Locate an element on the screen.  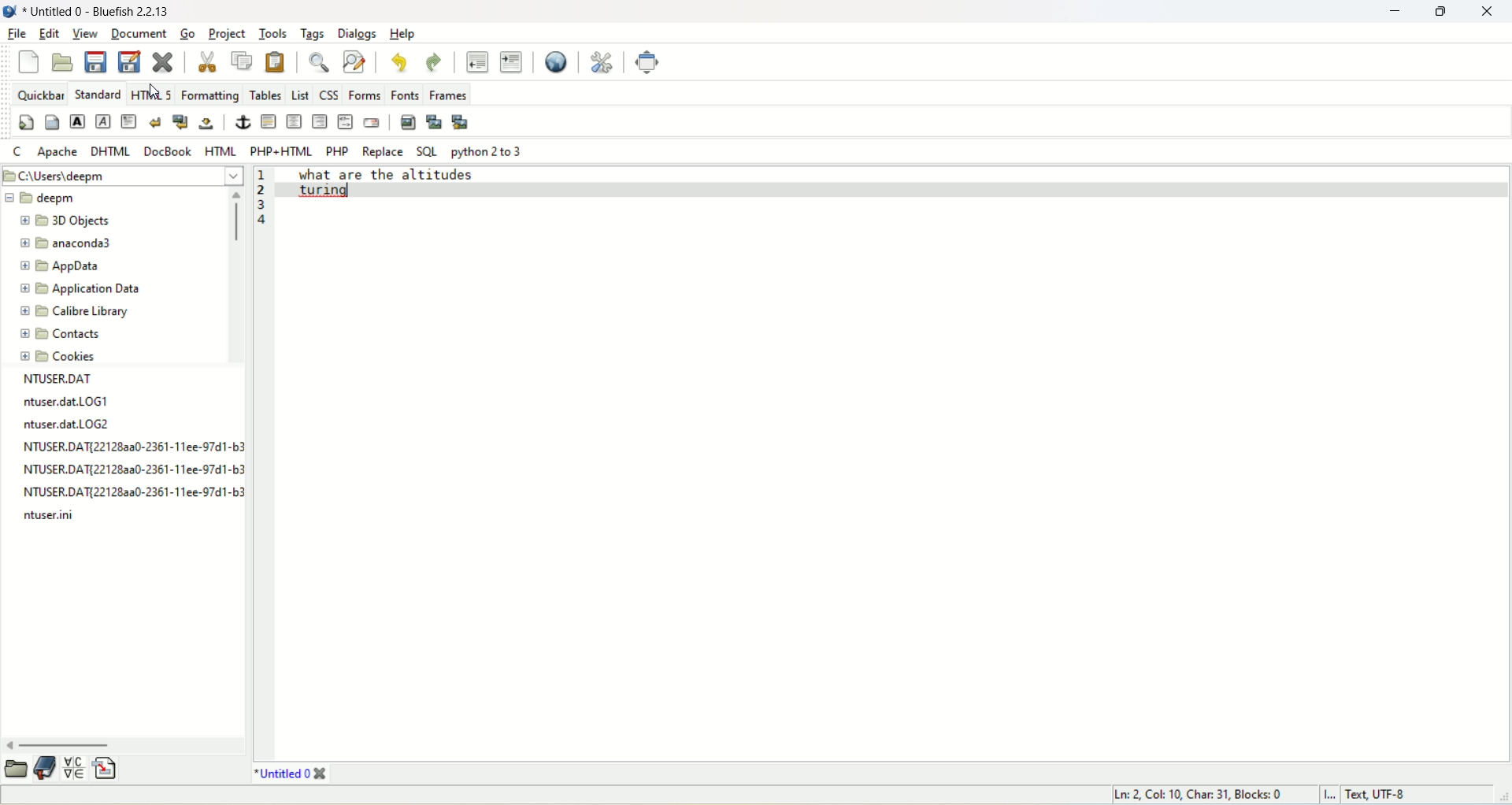
body is located at coordinates (54, 124).